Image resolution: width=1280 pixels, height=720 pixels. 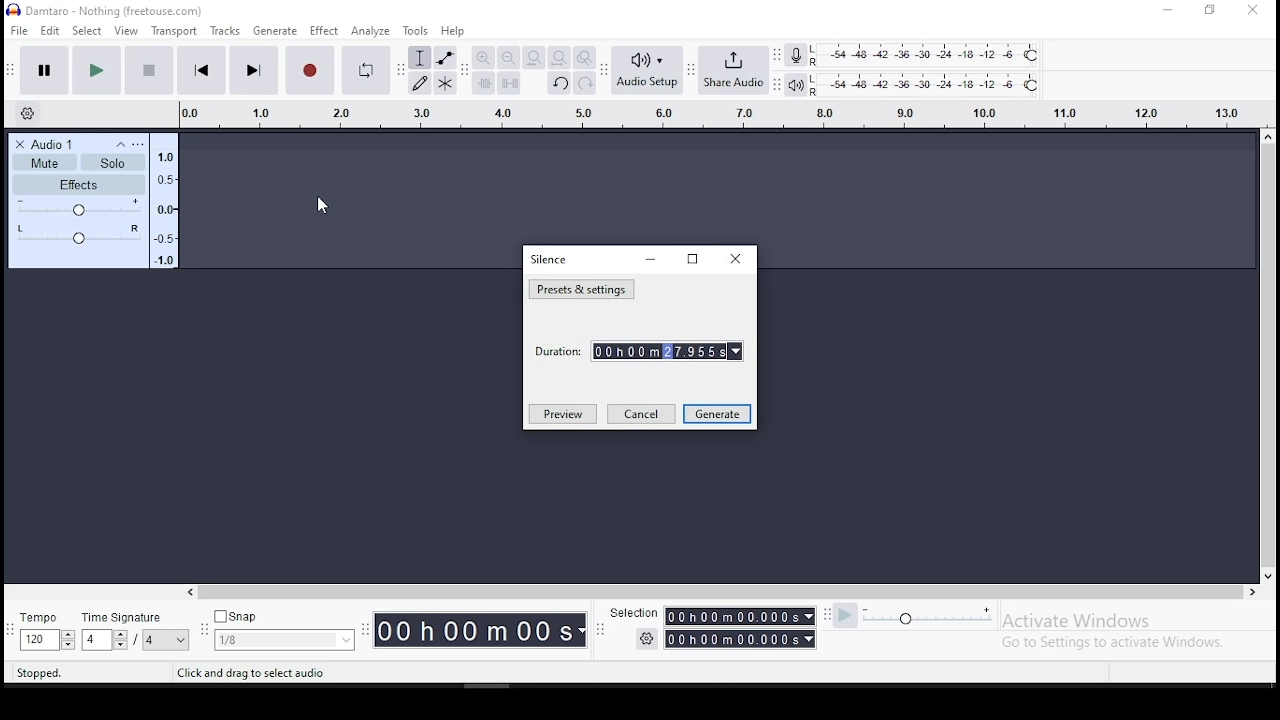 I want to click on view, so click(x=127, y=31).